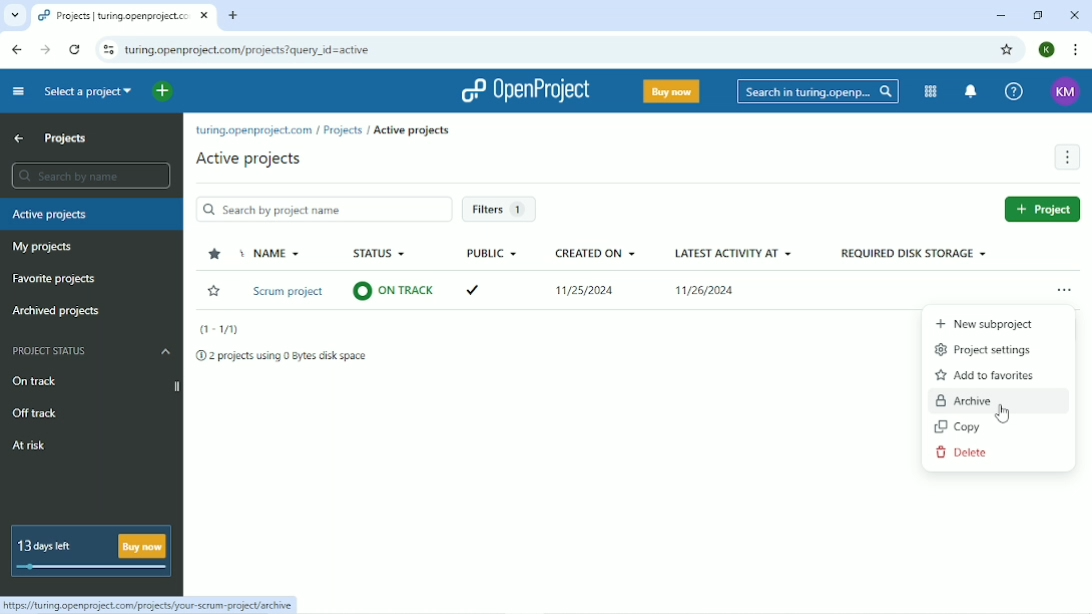  I want to click on other tabs, so click(13, 17).